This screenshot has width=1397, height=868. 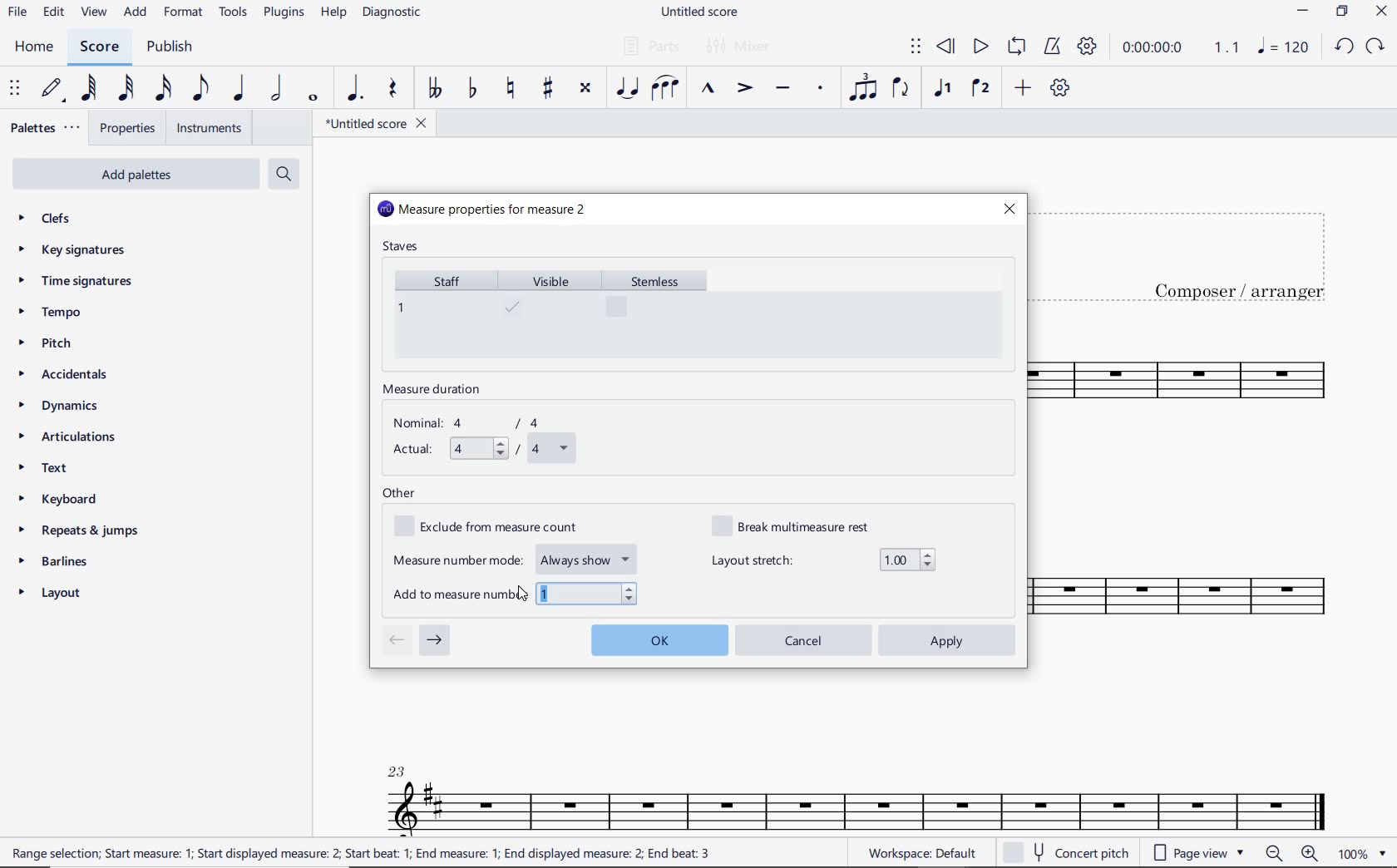 What do you see at coordinates (72, 501) in the screenshot?
I see `KEYBOARD` at bounding box center [72, 501].